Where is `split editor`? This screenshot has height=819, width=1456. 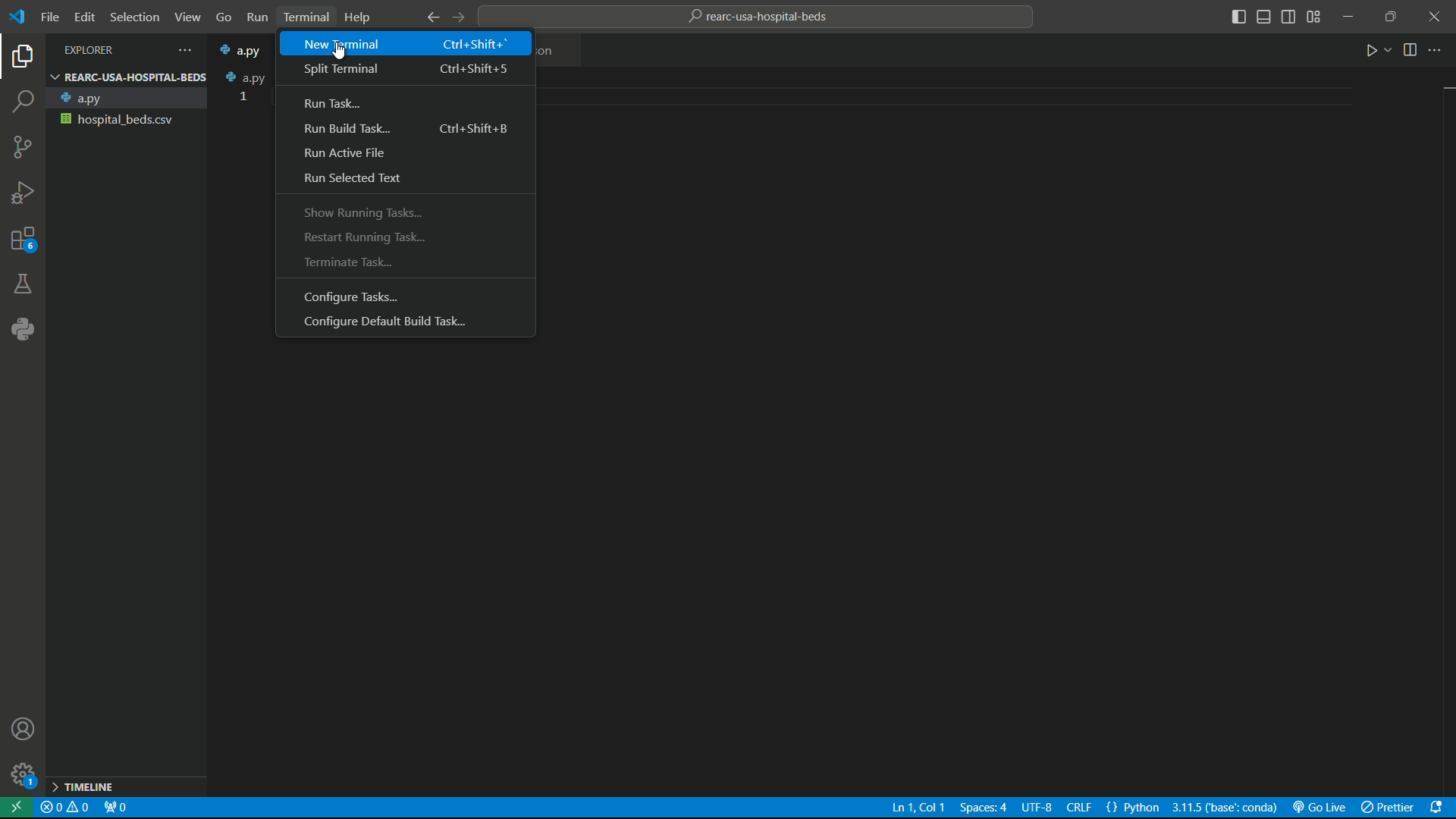
split editor is located at coordinates (1410, 52).